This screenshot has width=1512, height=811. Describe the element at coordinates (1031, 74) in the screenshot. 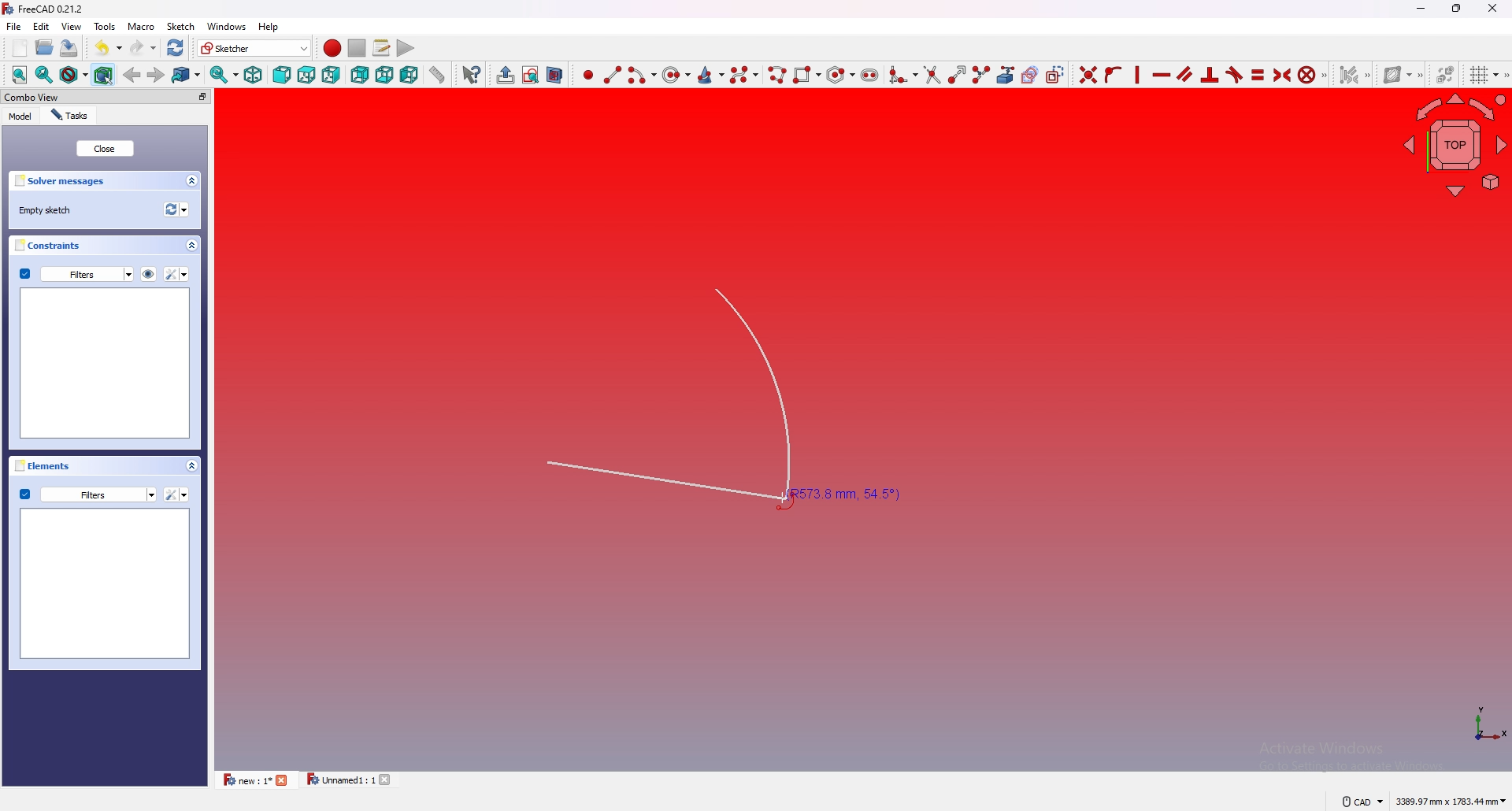

I see `create carbon copy` at that location.